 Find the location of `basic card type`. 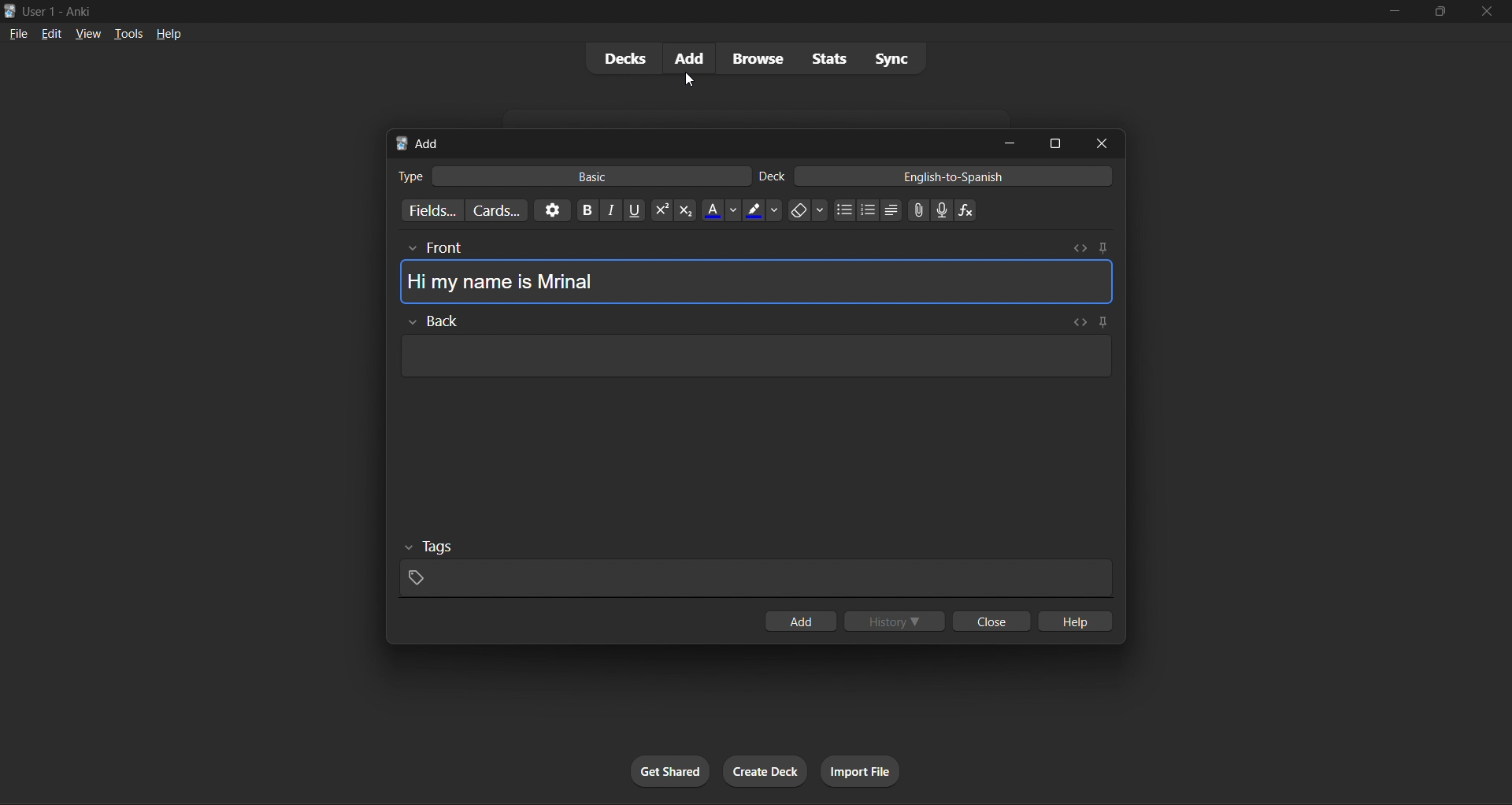

basic card type is located at coordinates (572, 173).